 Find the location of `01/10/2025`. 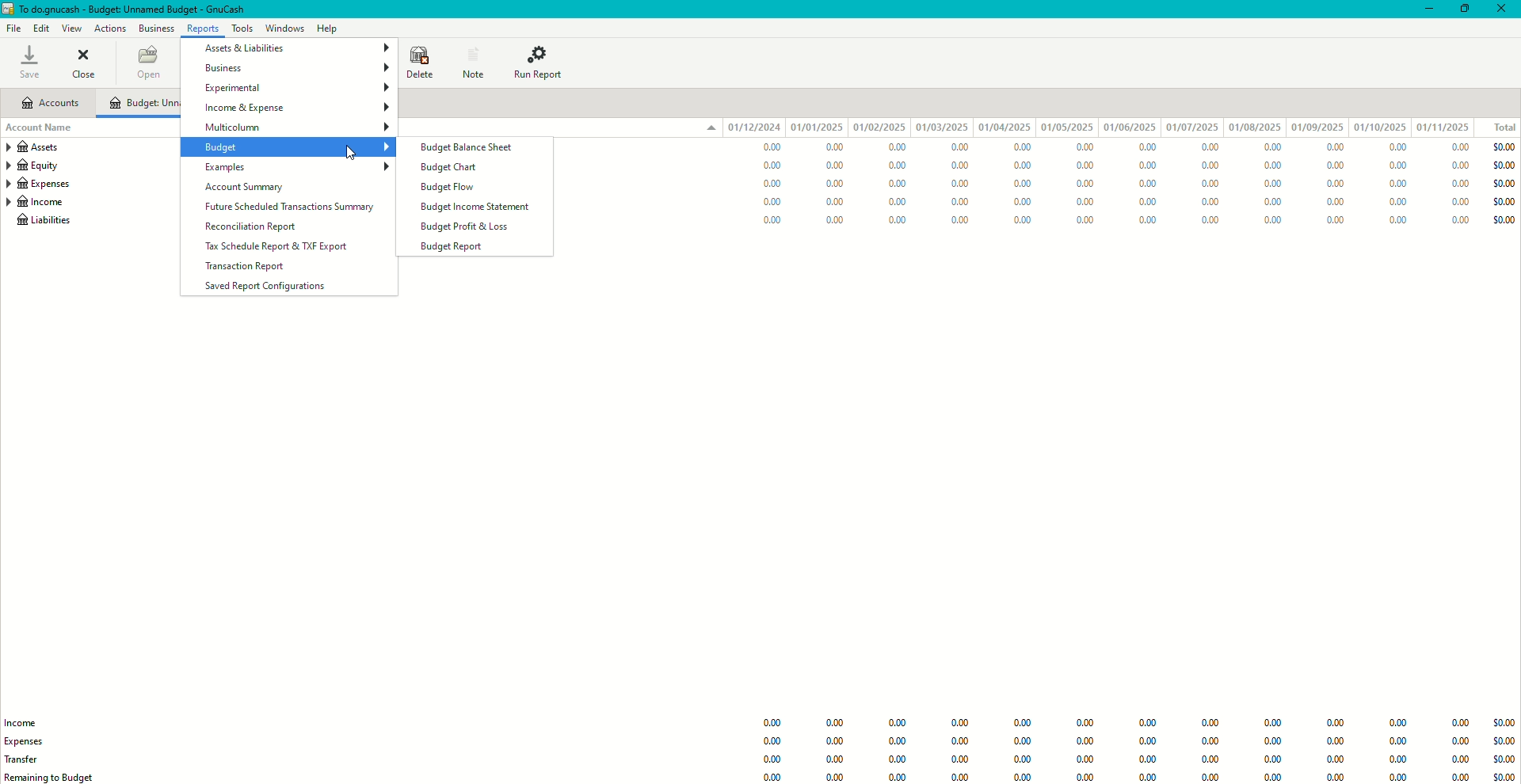

01/10/2025 is located at coordinates (1379, 127).